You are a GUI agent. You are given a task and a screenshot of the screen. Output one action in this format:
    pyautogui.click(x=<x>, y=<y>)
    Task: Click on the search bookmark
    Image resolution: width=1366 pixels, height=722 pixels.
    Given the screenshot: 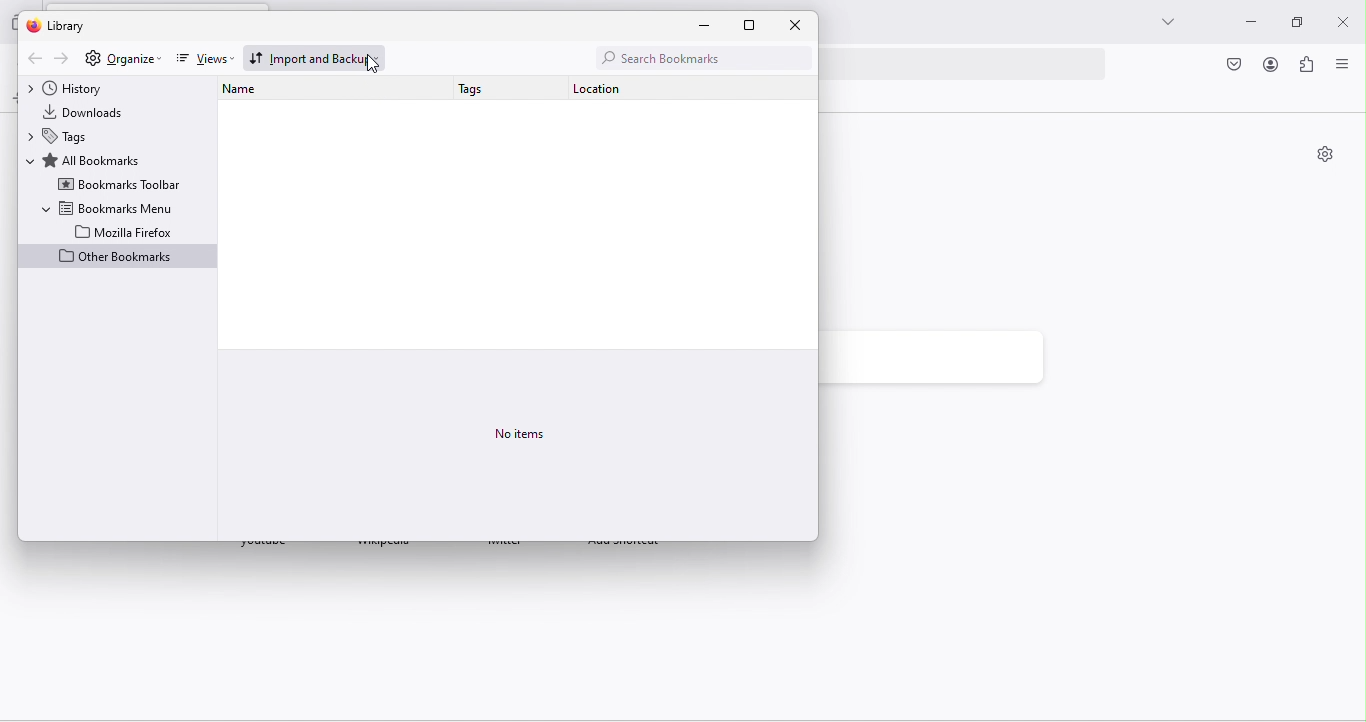 What is the action you would take?
    pyautogui.click(x=699, y=58)
    